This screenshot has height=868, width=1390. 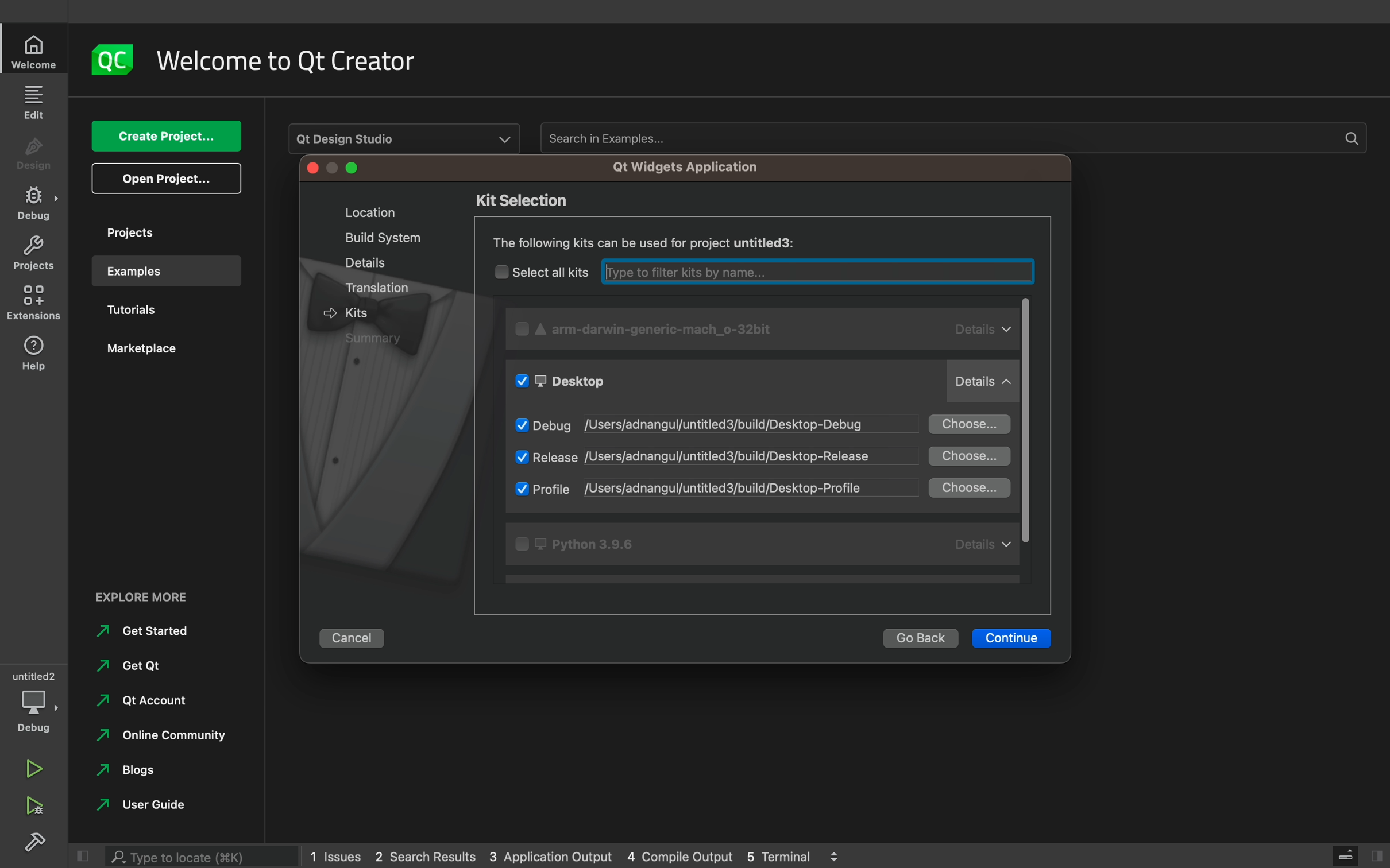 What do you see at coordinates (379, 289) in the screenshot?
I see `translation` at bounding box center [379, 289].